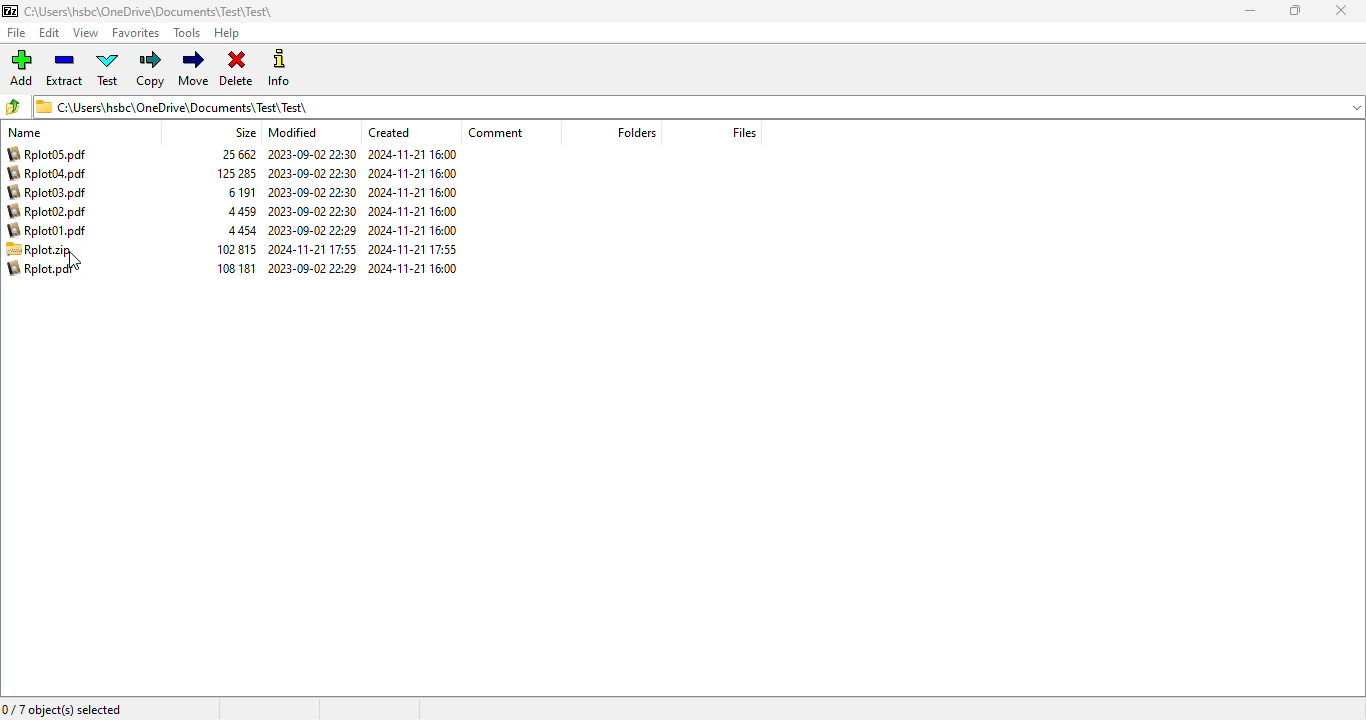  What do you see at coordinates (1294, 10) in the screenshot?
I see `maximize` at bounding box center [1294, 10].